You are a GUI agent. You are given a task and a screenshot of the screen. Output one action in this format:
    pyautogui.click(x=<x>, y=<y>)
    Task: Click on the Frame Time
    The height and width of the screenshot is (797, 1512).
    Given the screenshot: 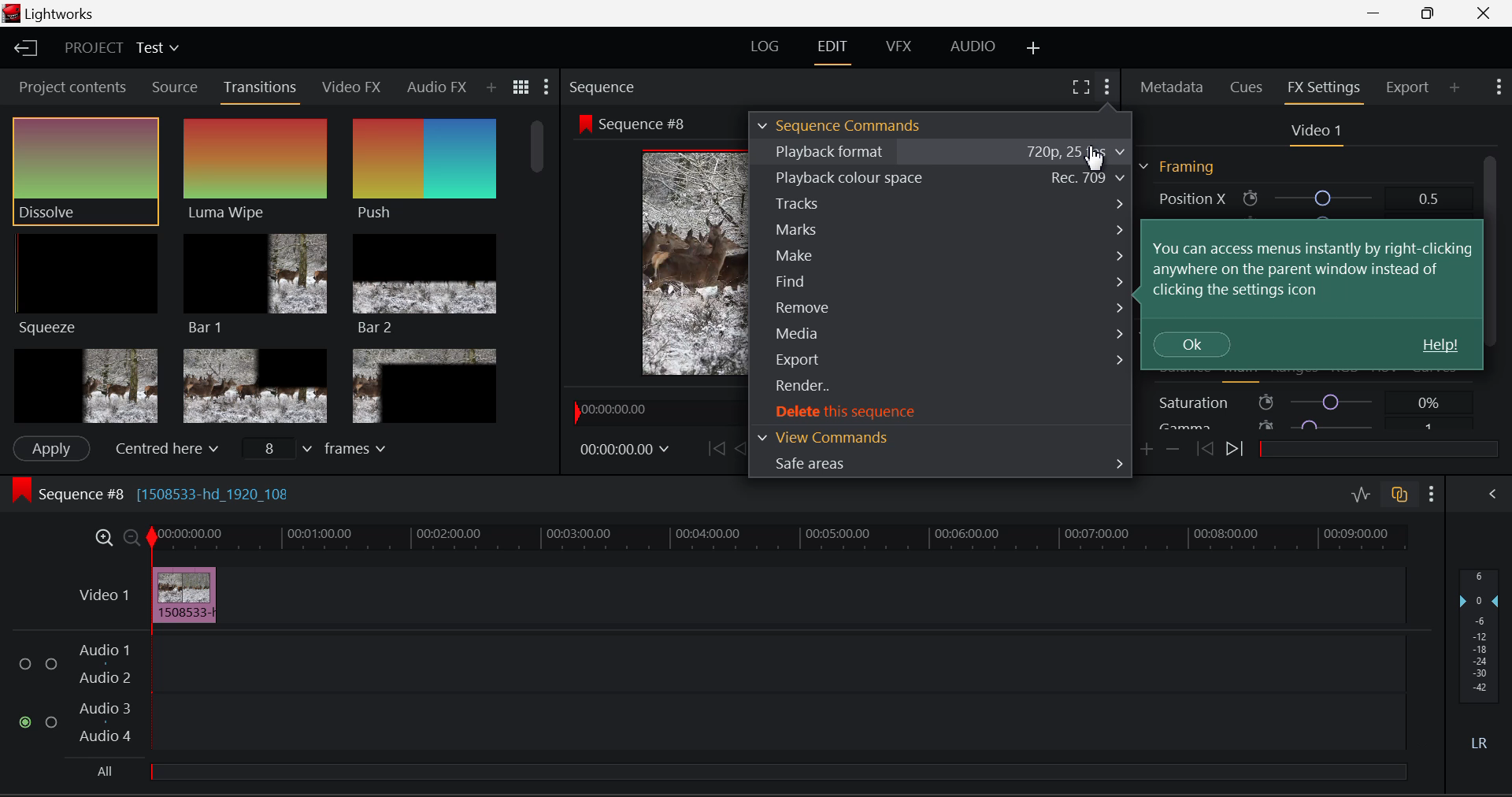 What is the action you would take?
    pyautogui.click(x=625, y=447)
    